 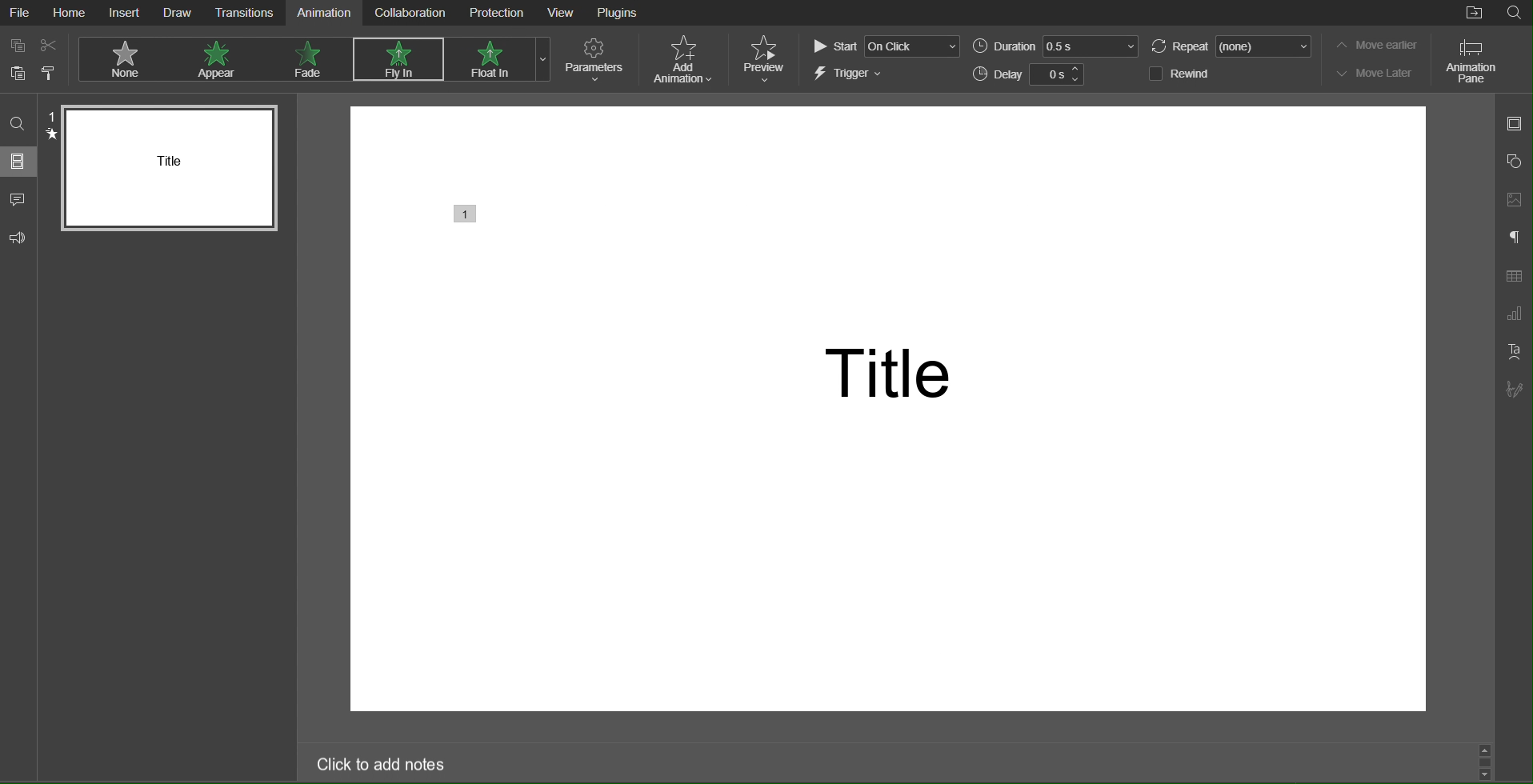 I want to click on Feedback and Support, so click(x=19, y=235).